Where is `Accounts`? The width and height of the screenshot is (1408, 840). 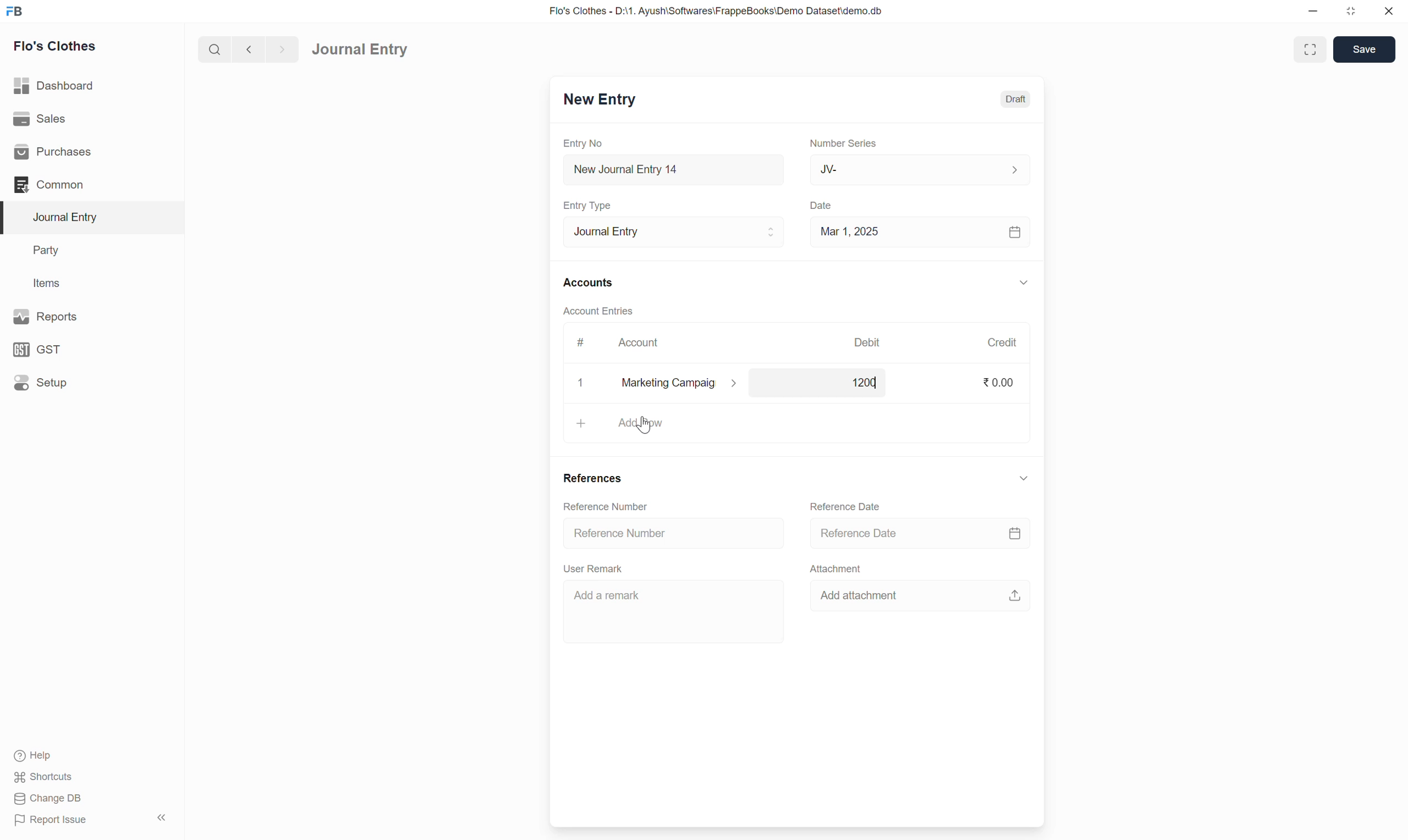
Accounts is located at coordinates (590, 281).